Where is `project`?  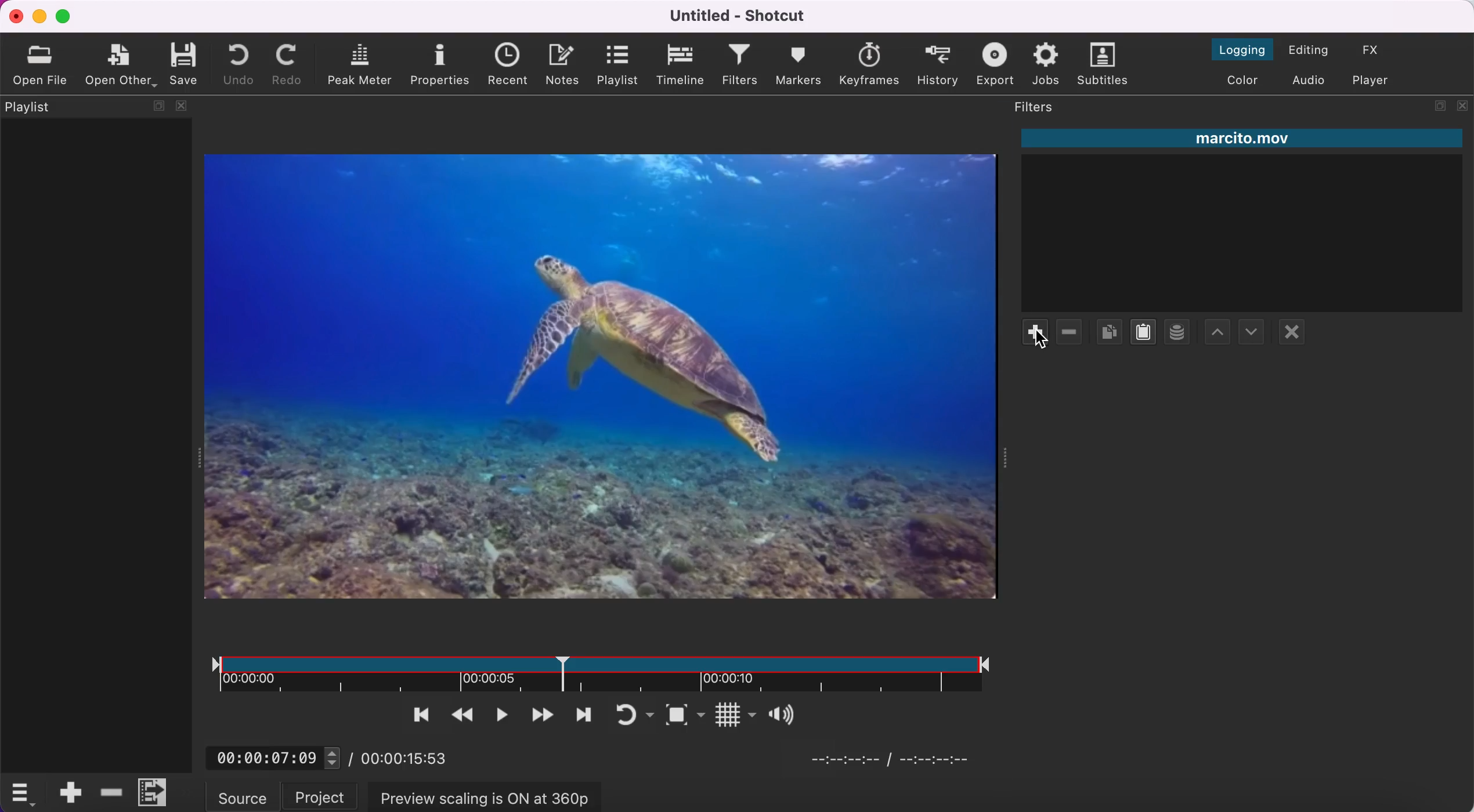
project is located at coordinates (318, 796).